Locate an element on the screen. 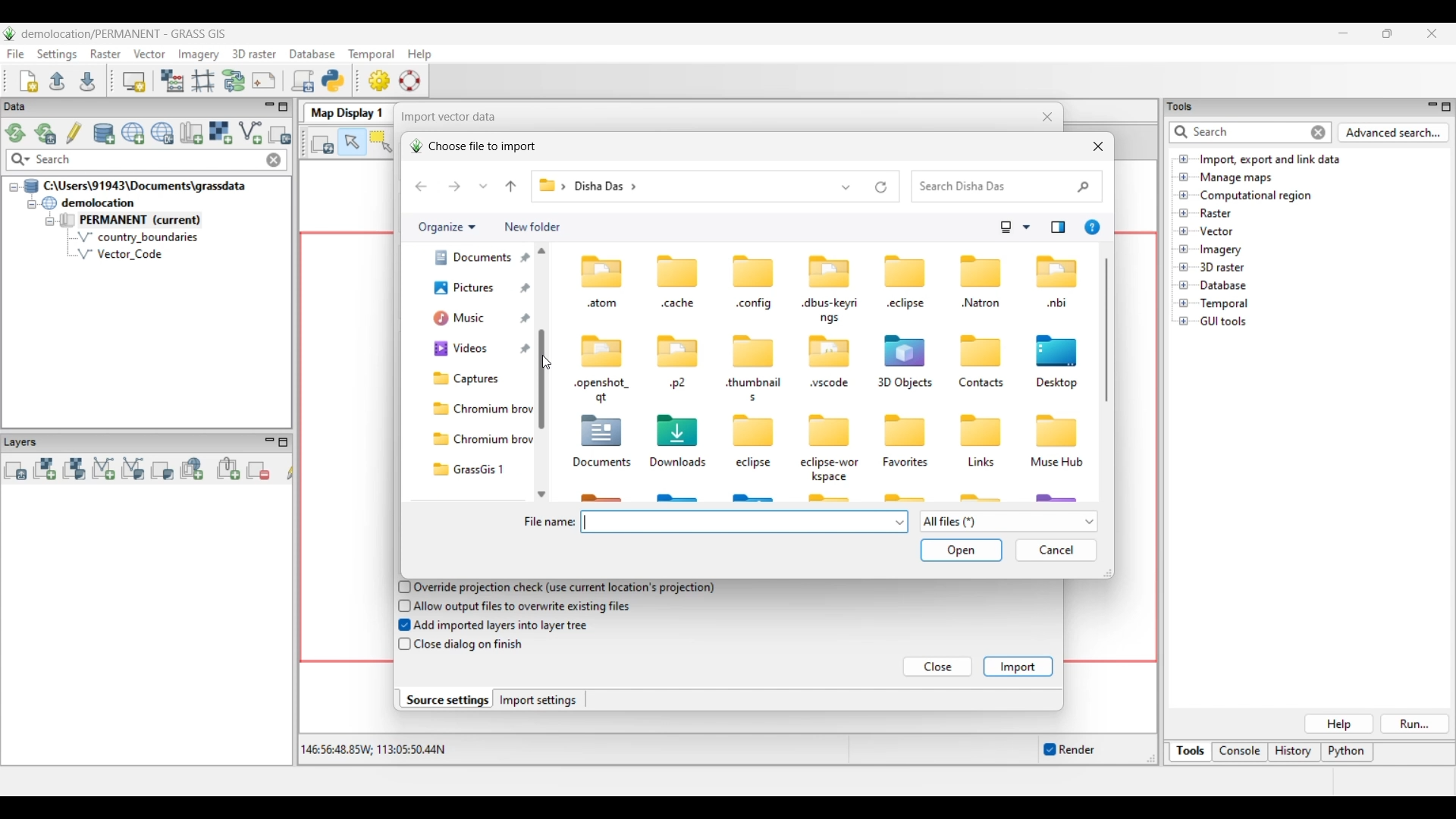  icon is located at coordinates (755, 272).